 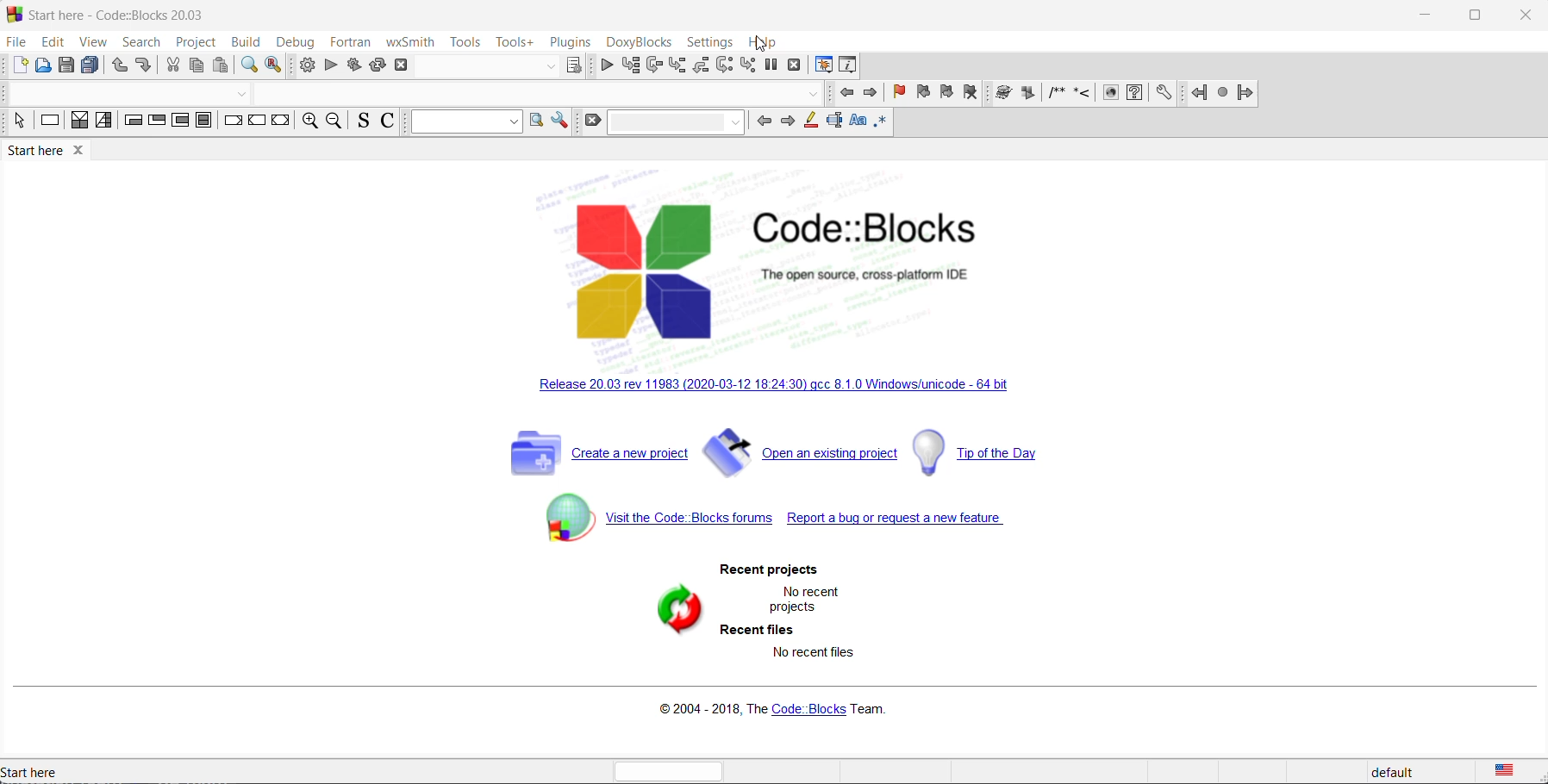 What do you see at coordinates (91, 65) in the screenshot?
I see `save all` at bounding box center [91, 65].